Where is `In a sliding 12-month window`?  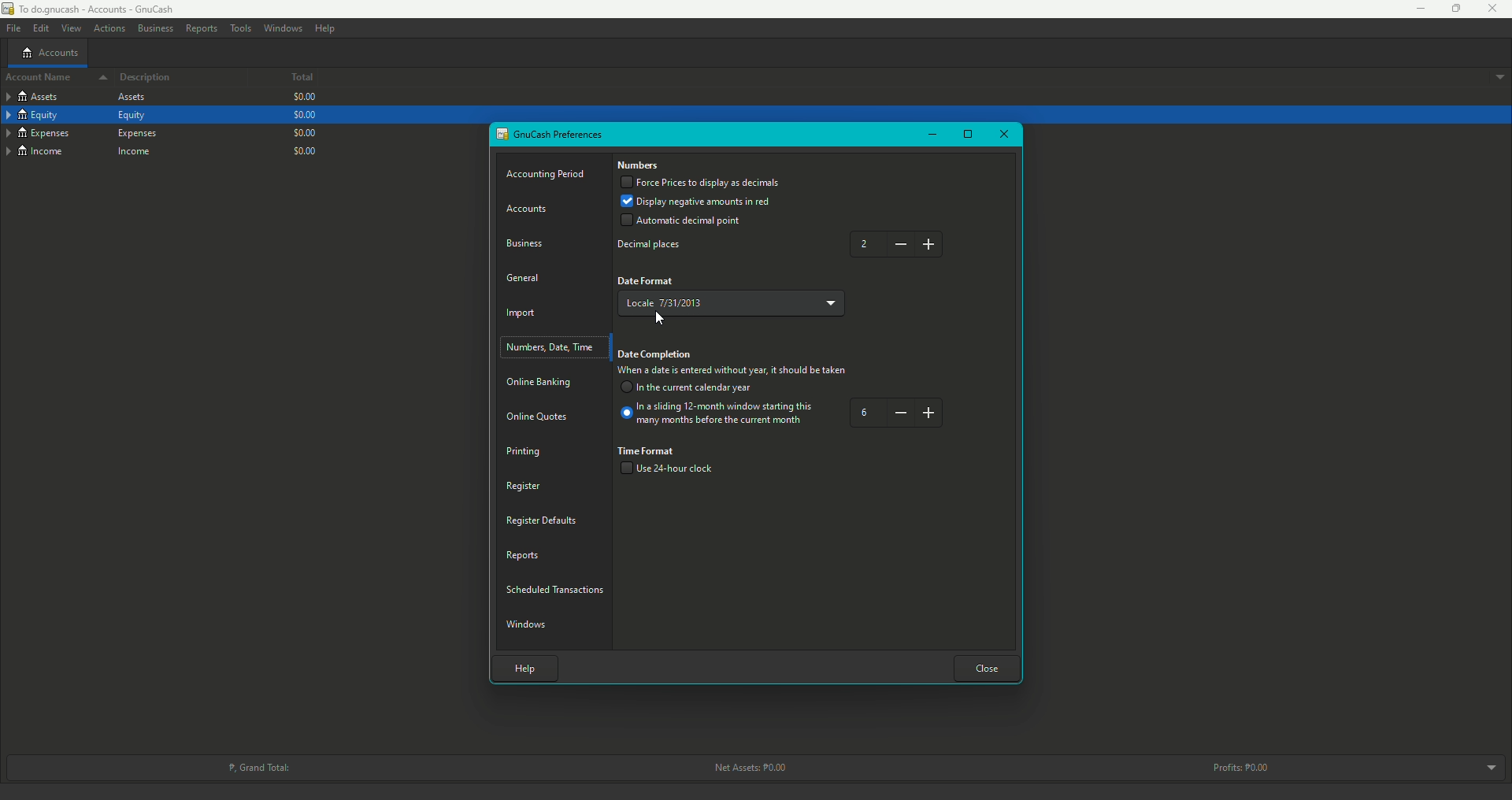 In a sliding 12-month window is located at coordinates (719, 417).